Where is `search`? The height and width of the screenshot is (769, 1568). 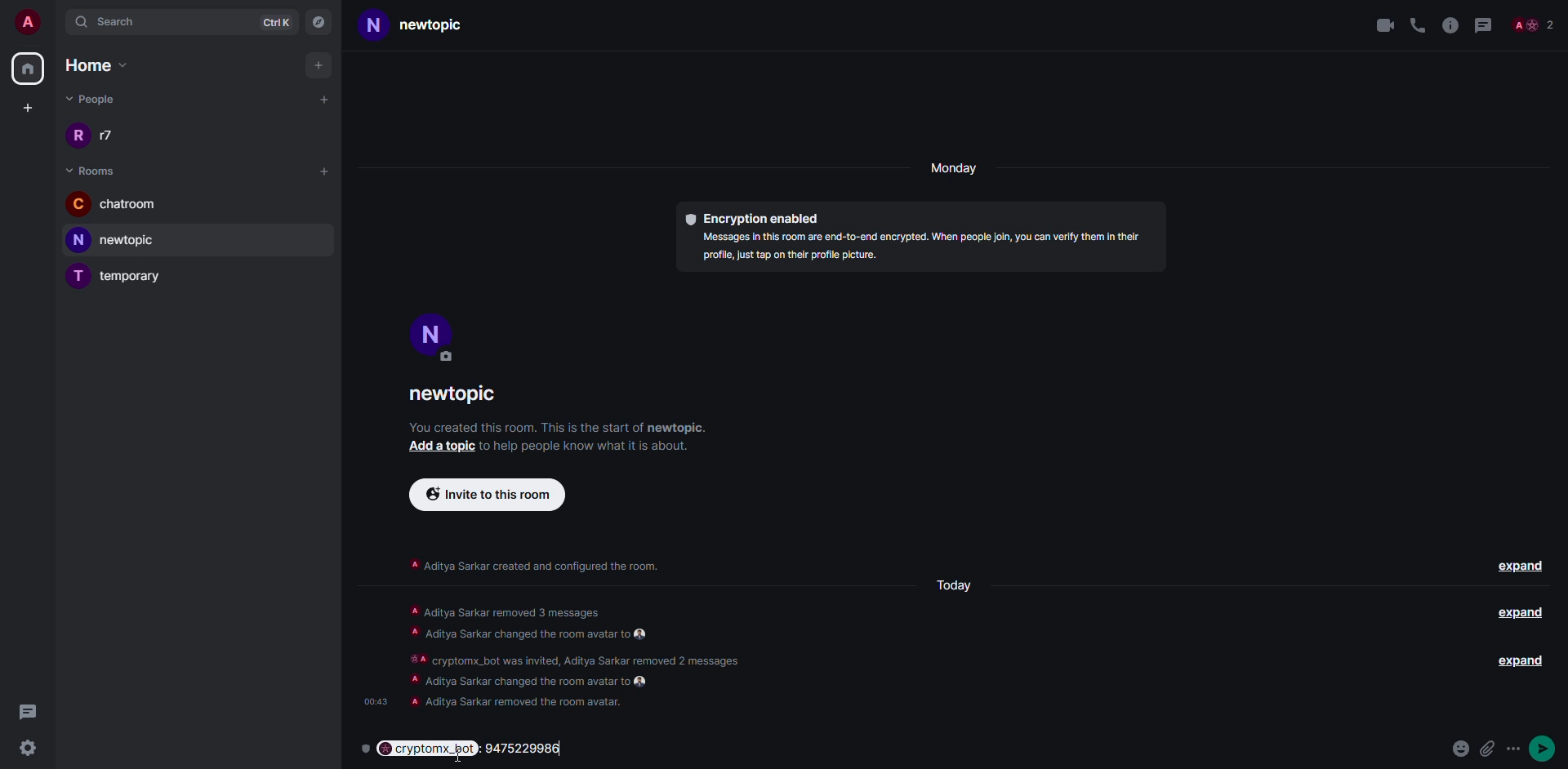 search is located at coordinates (118, 21).